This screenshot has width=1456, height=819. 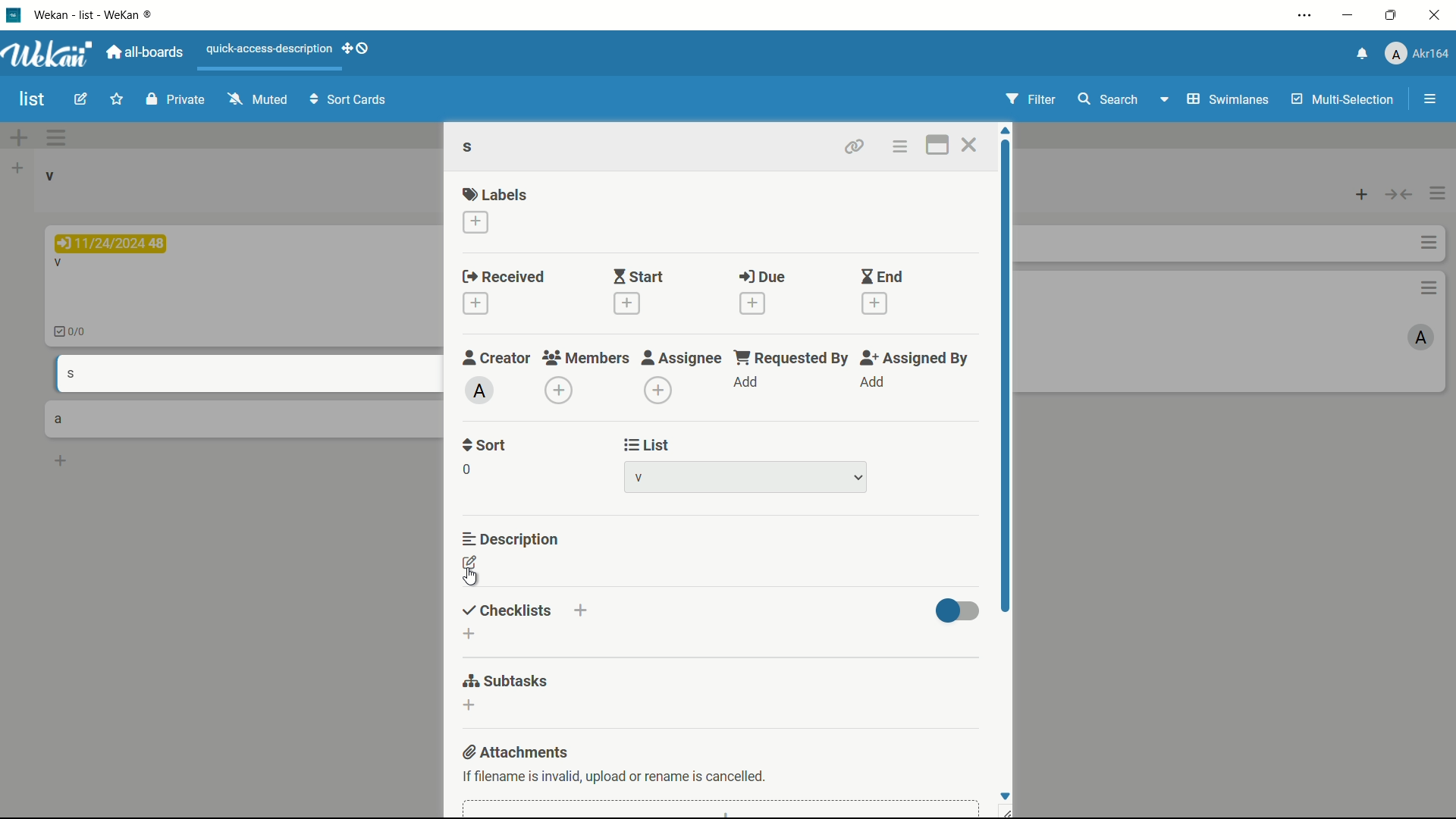 I want to click on received, so click(x=504, y=275).